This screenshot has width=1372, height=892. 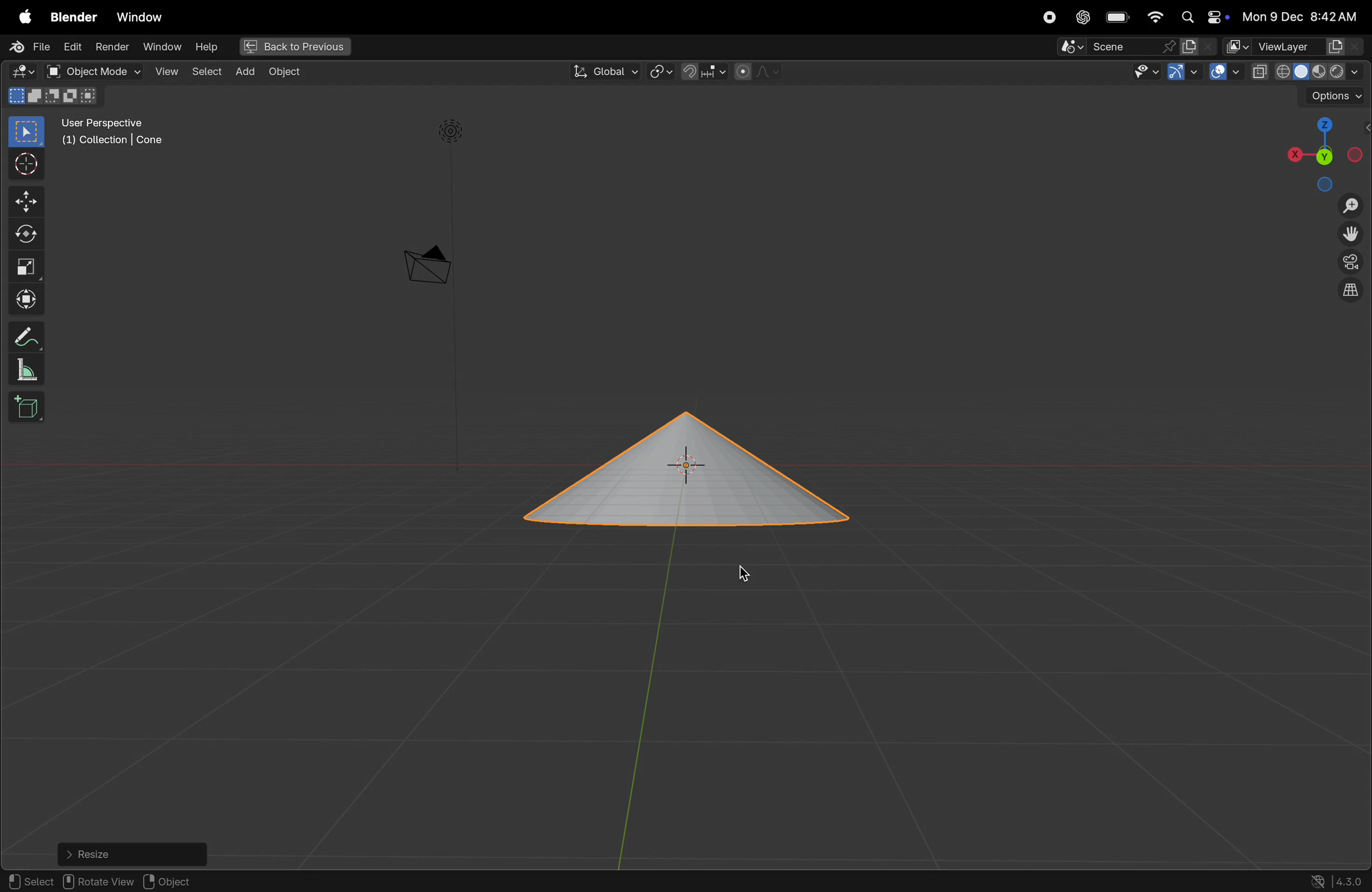 I want to click on add, so click(x=246, y=71).